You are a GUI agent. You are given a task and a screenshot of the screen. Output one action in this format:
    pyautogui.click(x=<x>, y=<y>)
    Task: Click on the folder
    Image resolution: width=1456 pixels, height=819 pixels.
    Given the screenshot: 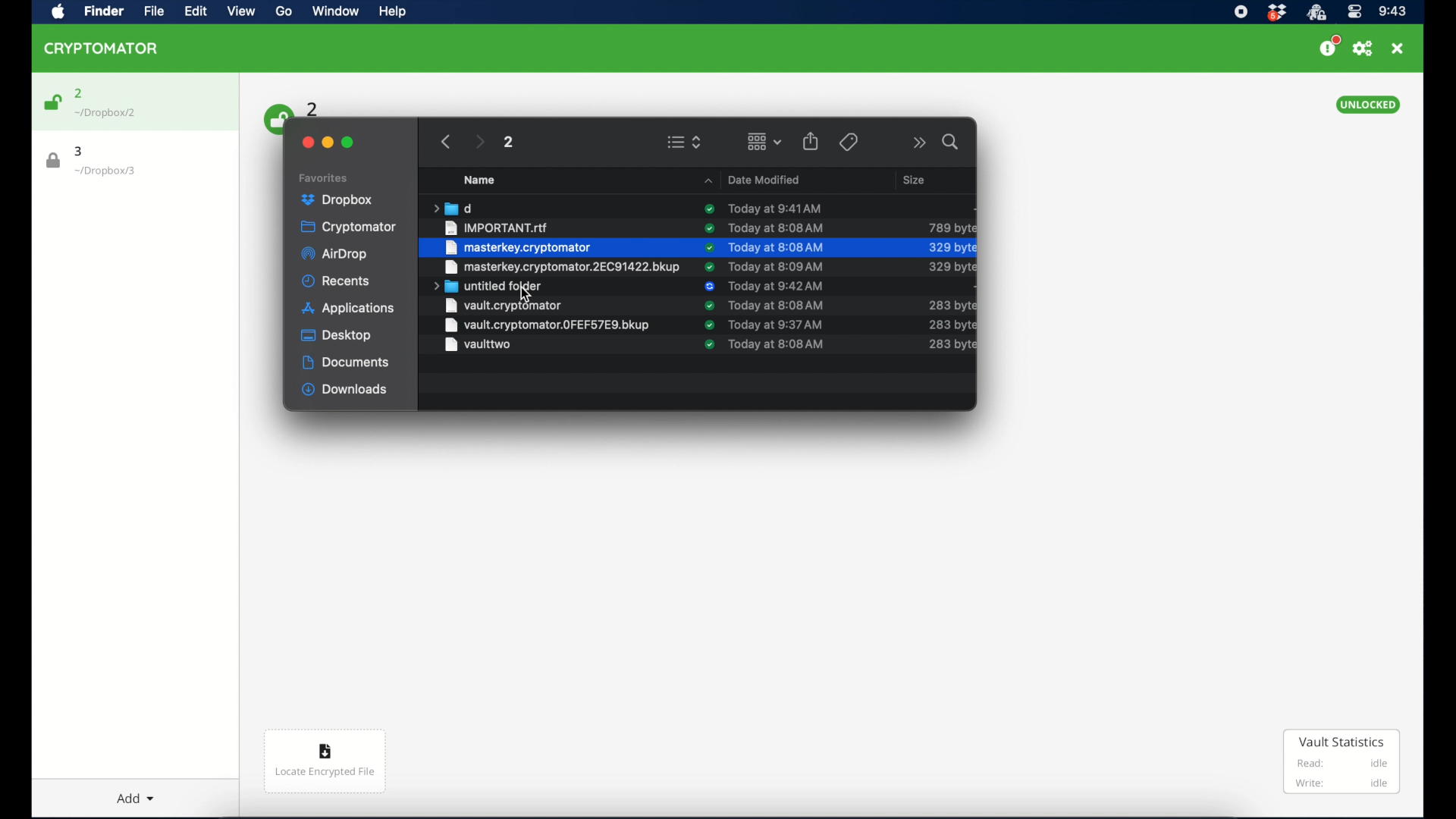 What is the action you would take?
    pyautogui.click(x=452, y=208)
    